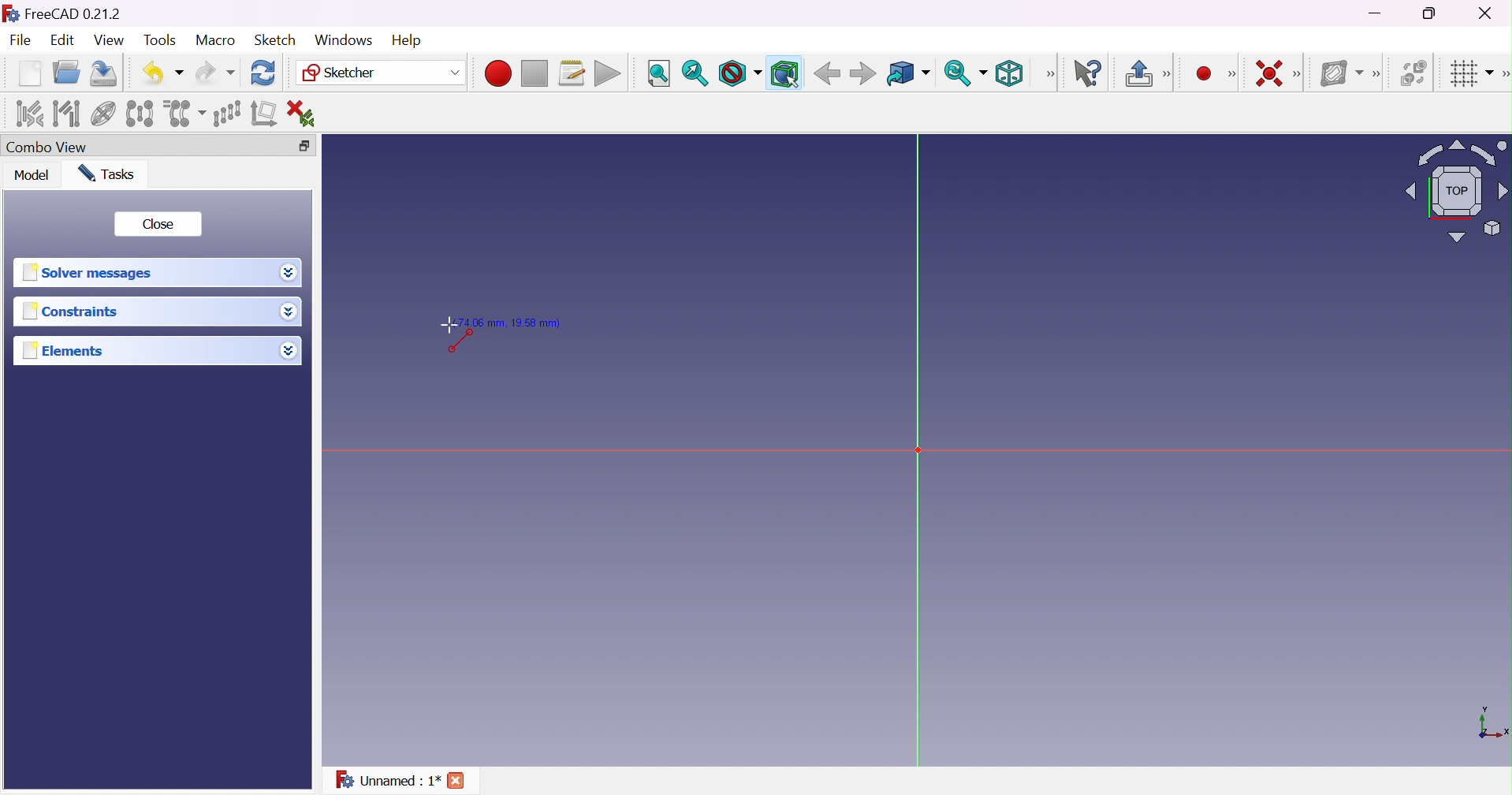  What do you see at coordinates (289, 312) in the screenshot?
I see `Drop down` at bounding box center [289, 312].